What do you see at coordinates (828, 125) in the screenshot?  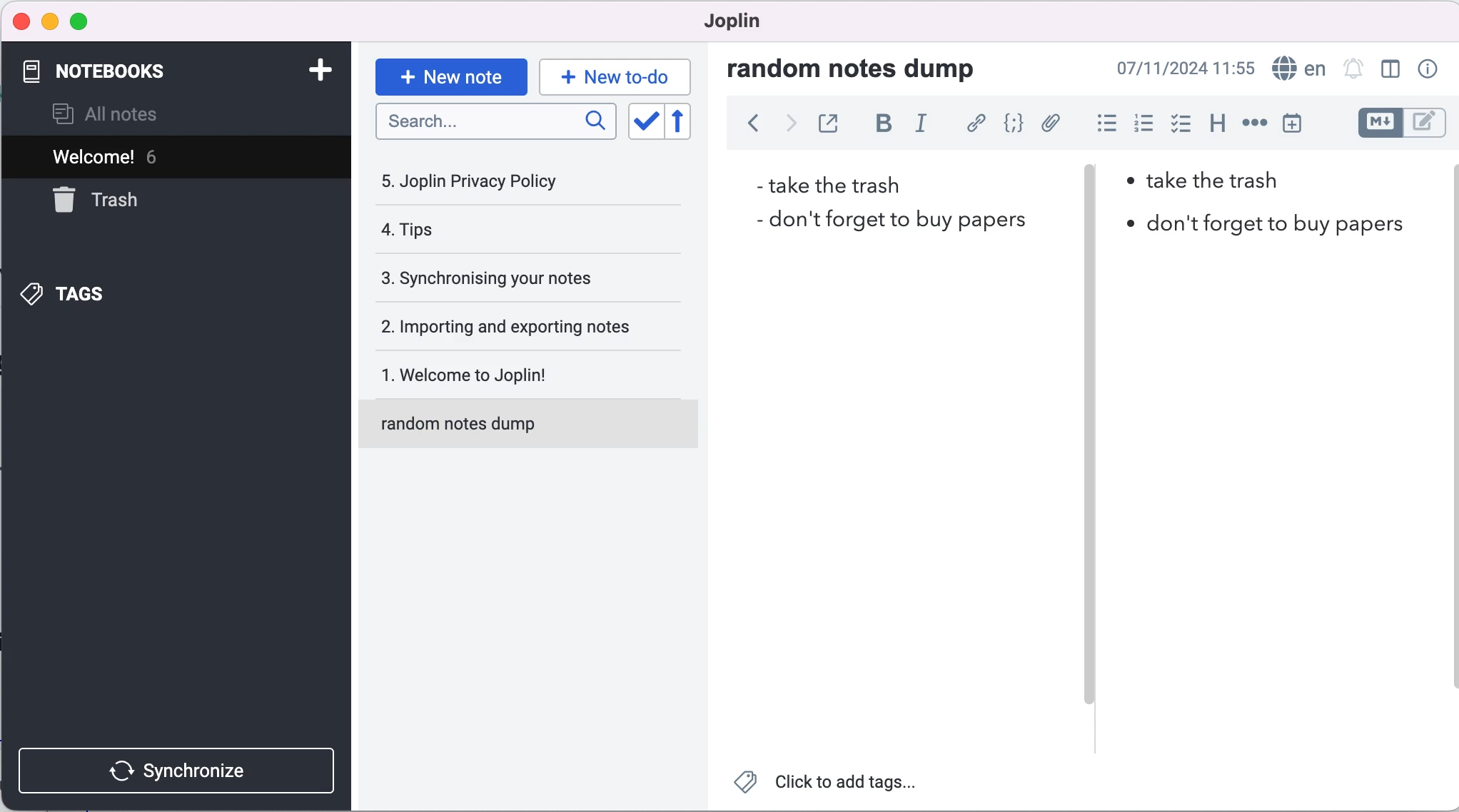 I see `toggle external editing` at bounding box center [828, 125].